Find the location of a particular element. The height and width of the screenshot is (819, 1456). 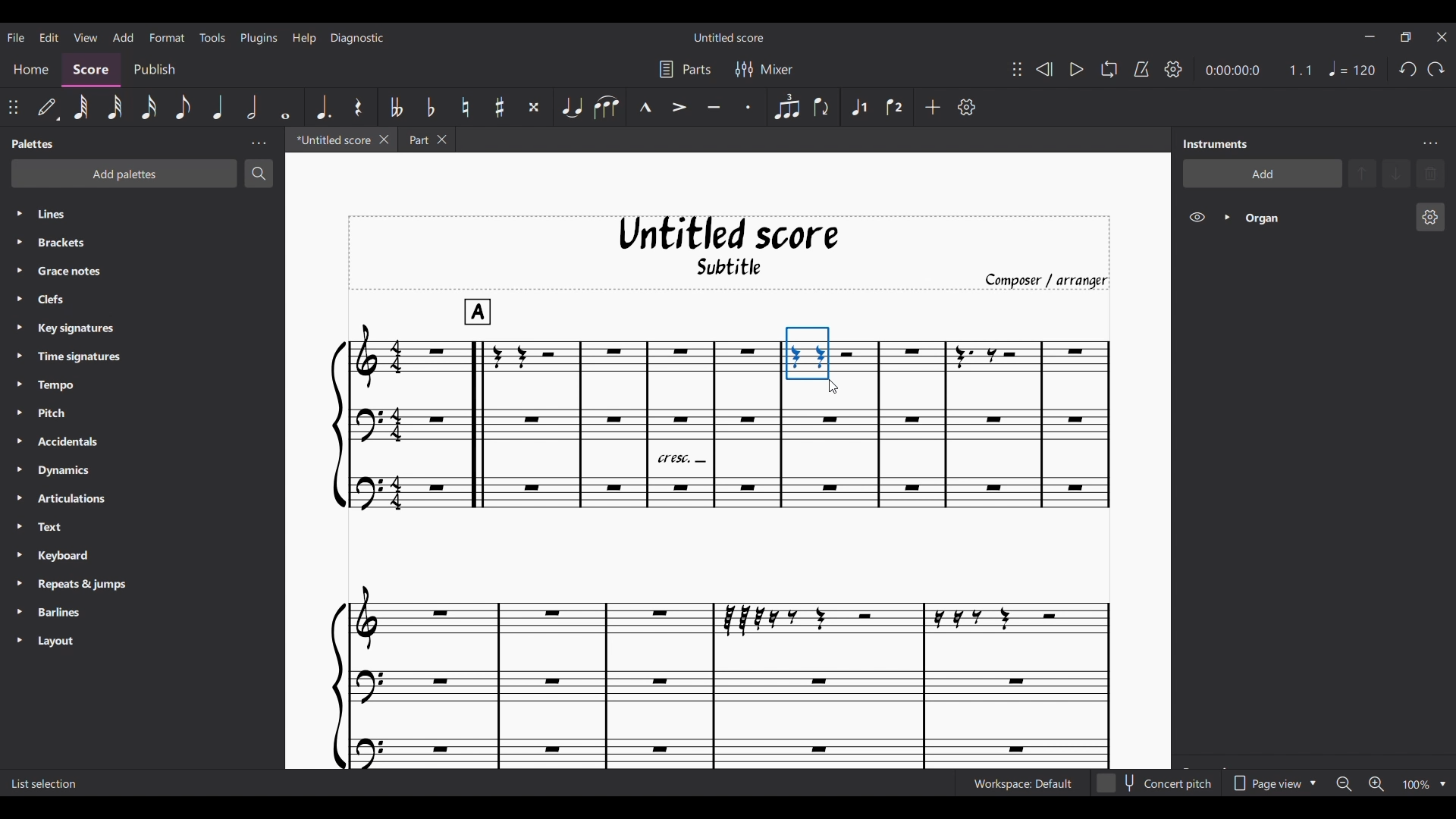

Publish section is located at coordinates (154, 71).